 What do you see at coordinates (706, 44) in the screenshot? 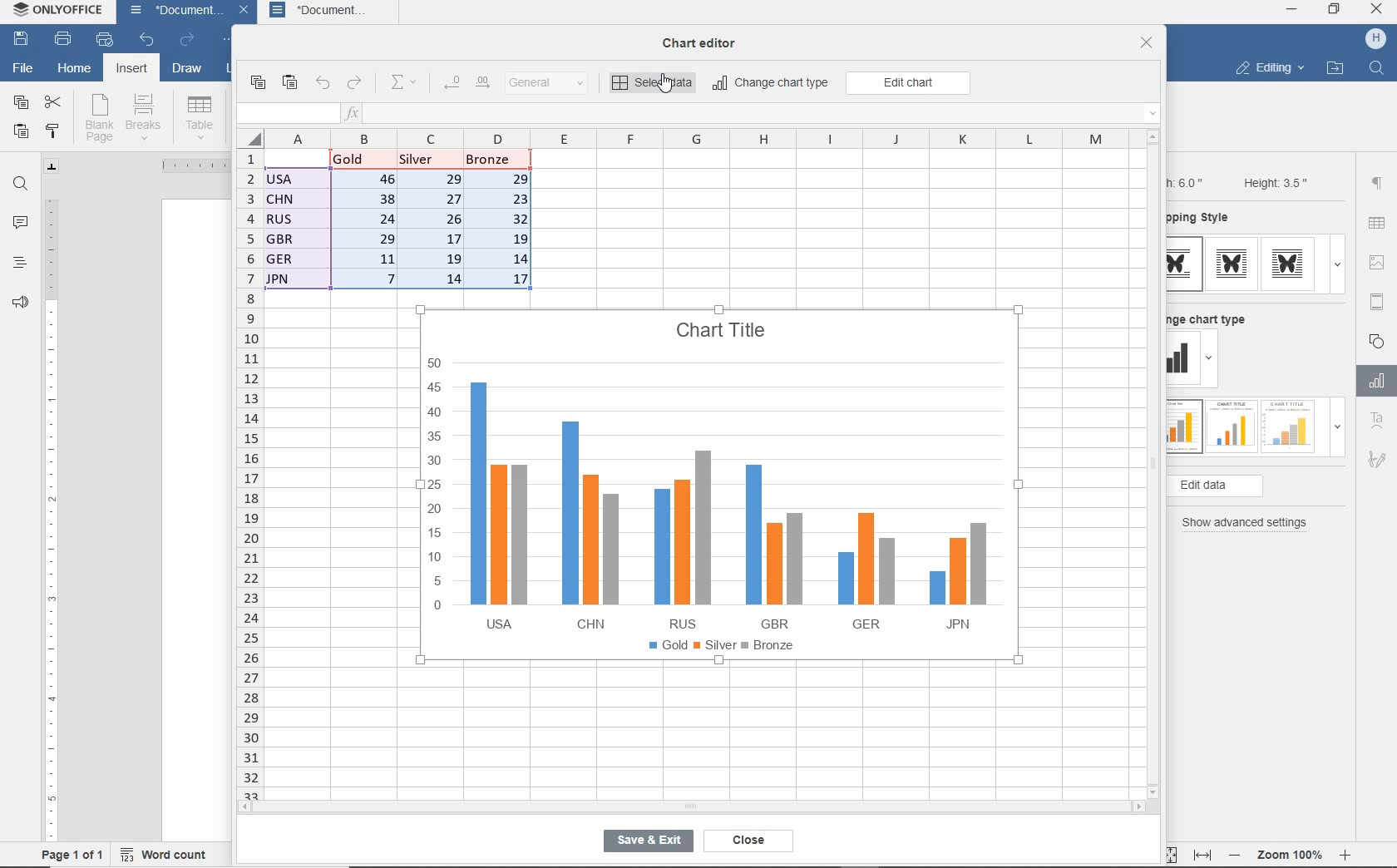
I see `chat editor` at bounding box center [706, 44].